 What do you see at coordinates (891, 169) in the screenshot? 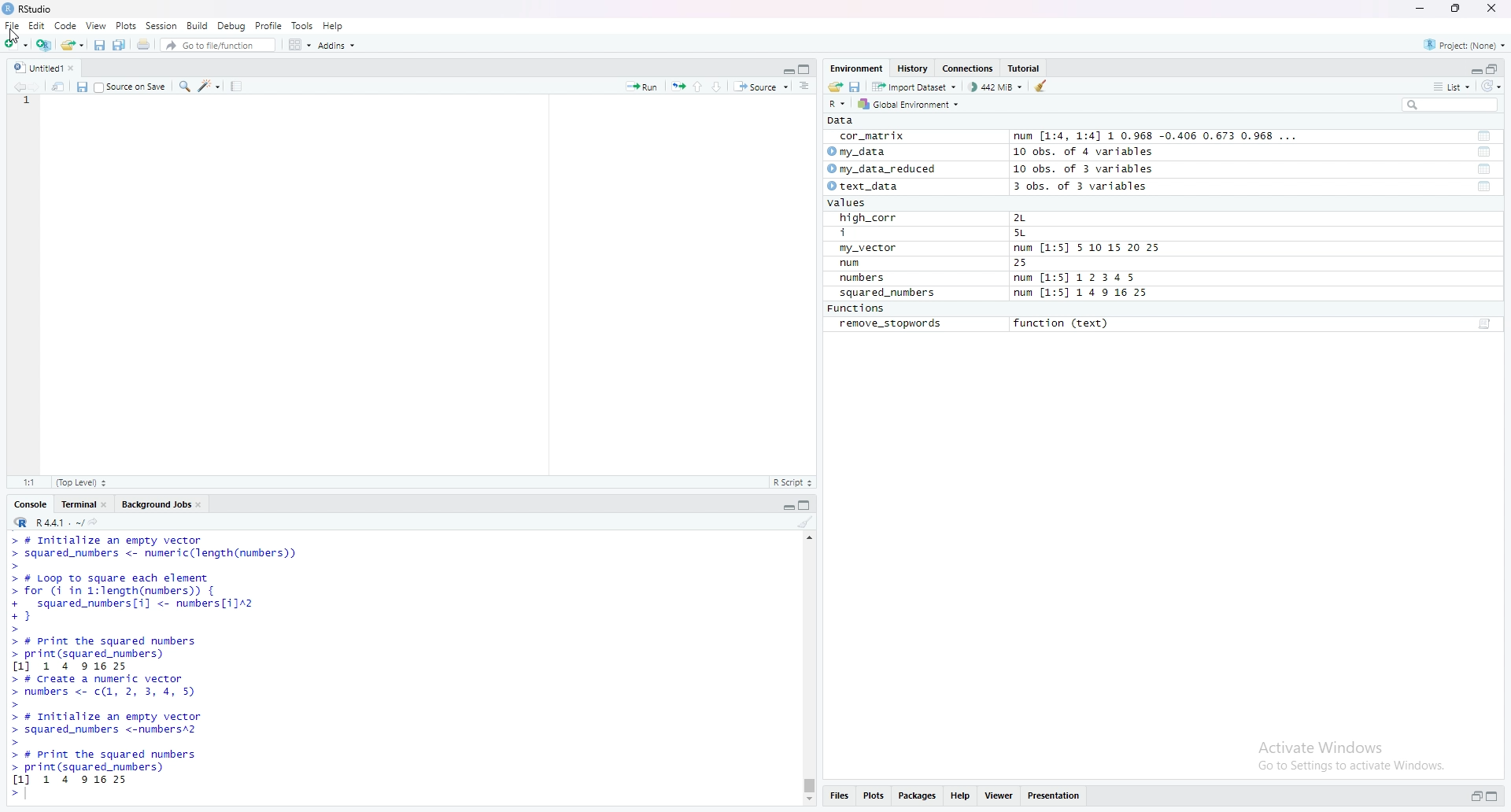
I see `my_data_reduced` at bounding box center [891, 169].